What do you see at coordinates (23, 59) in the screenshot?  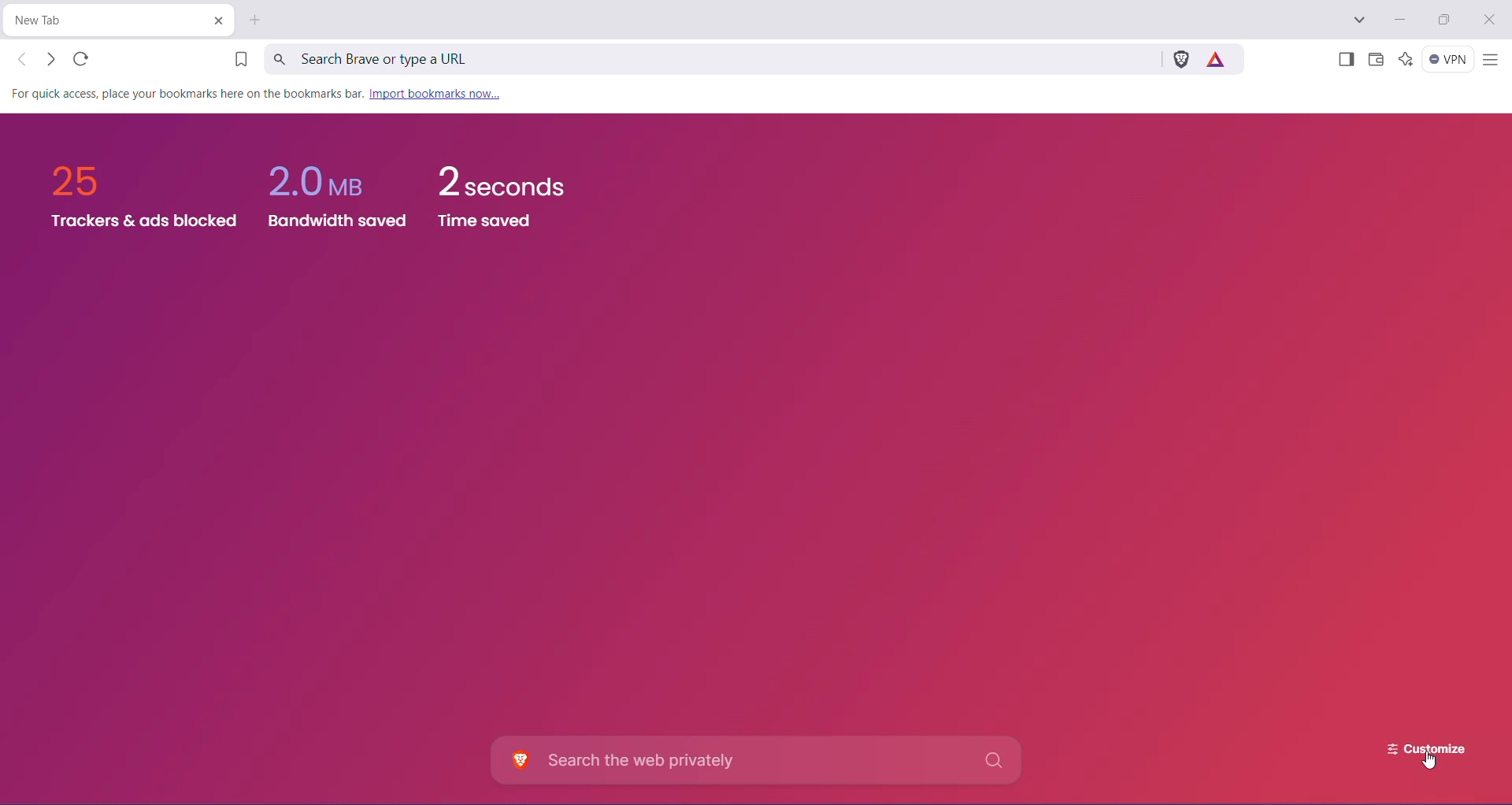 I see `Click to go back, hold to see history` at bounding box center [23, 59].